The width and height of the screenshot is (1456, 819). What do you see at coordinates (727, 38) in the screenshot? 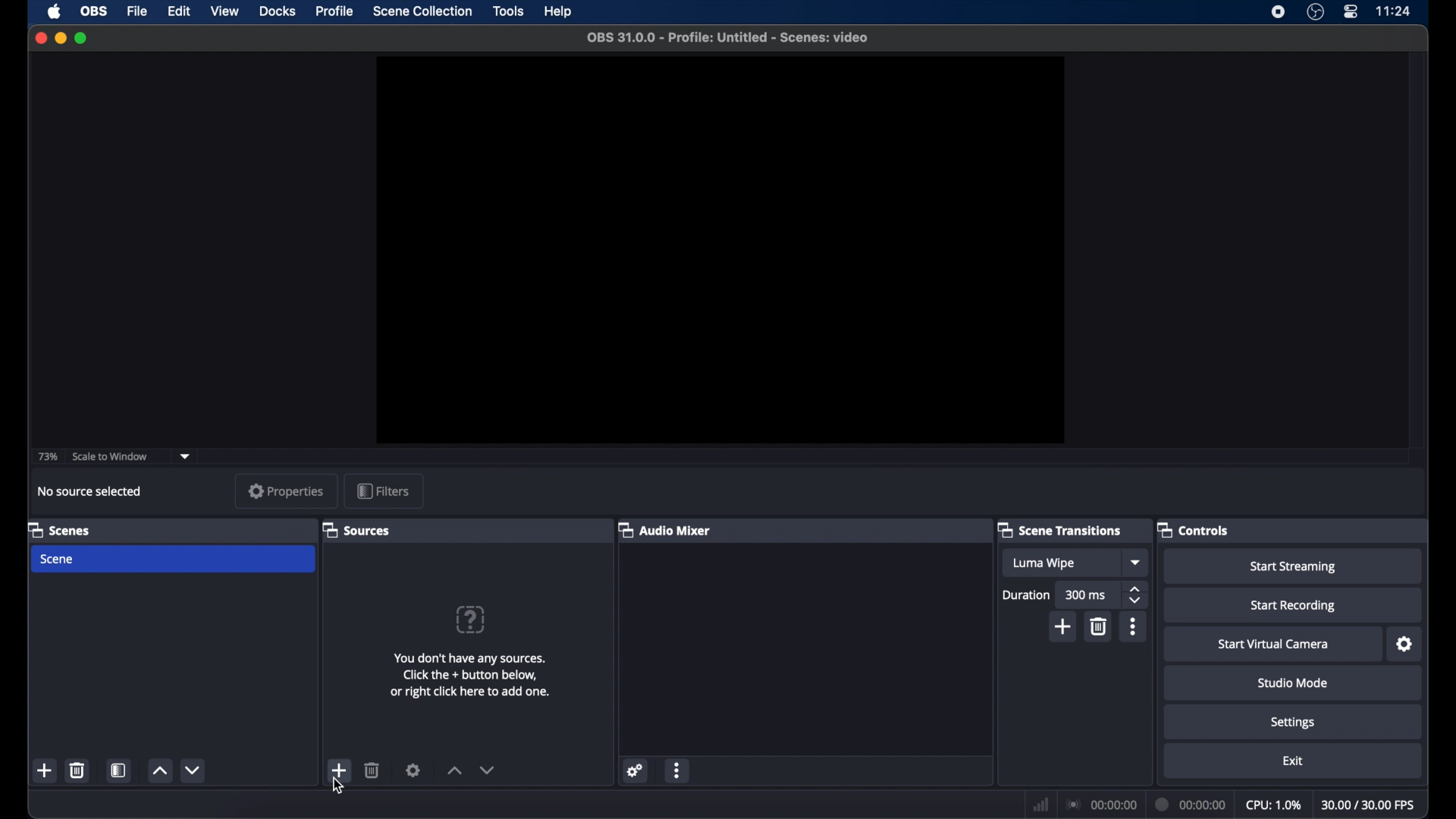
I see `file name` at bounding box center [727, 38].